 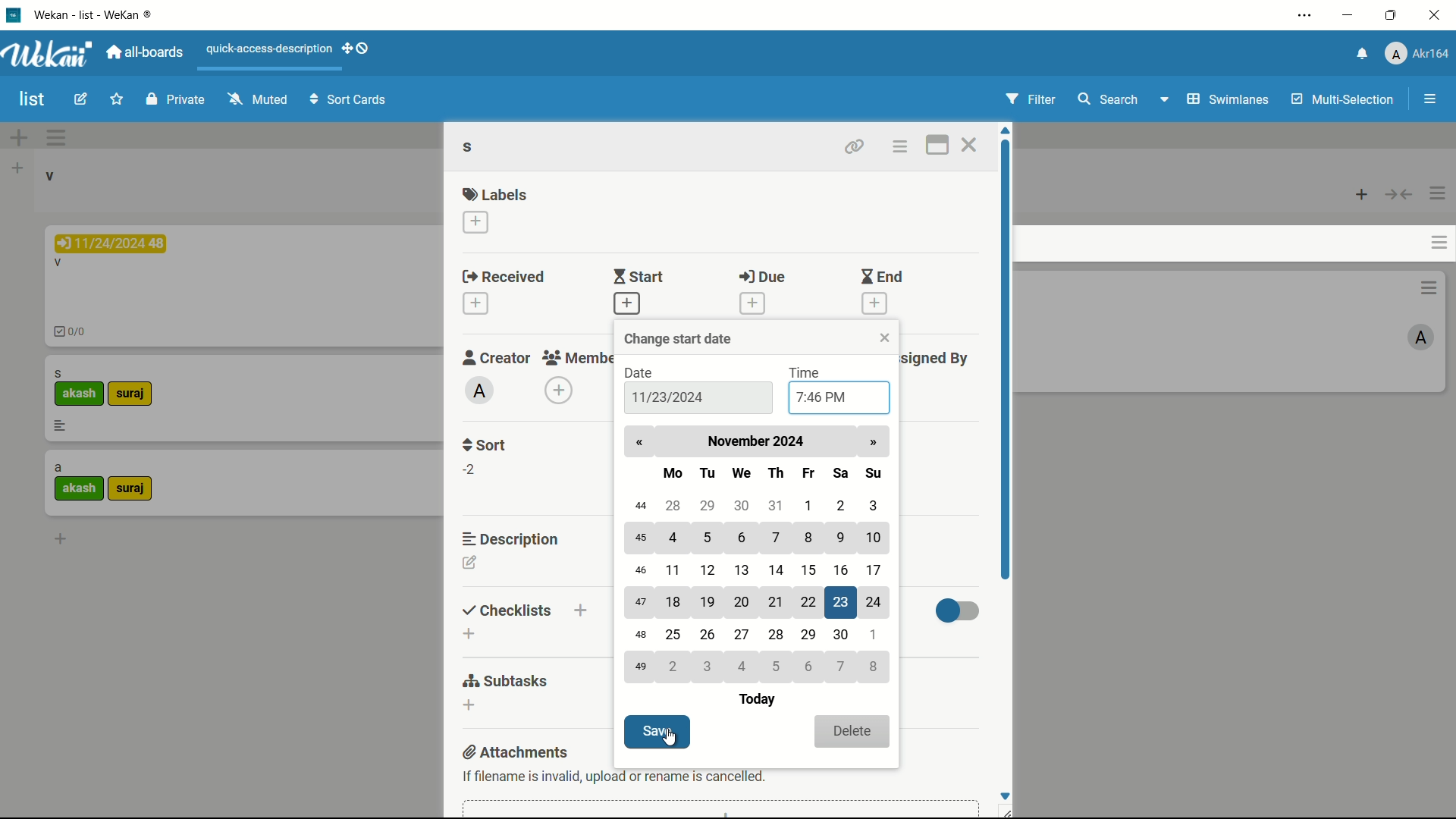 I want to click on add card top of list, so click(x=1363, y=196).